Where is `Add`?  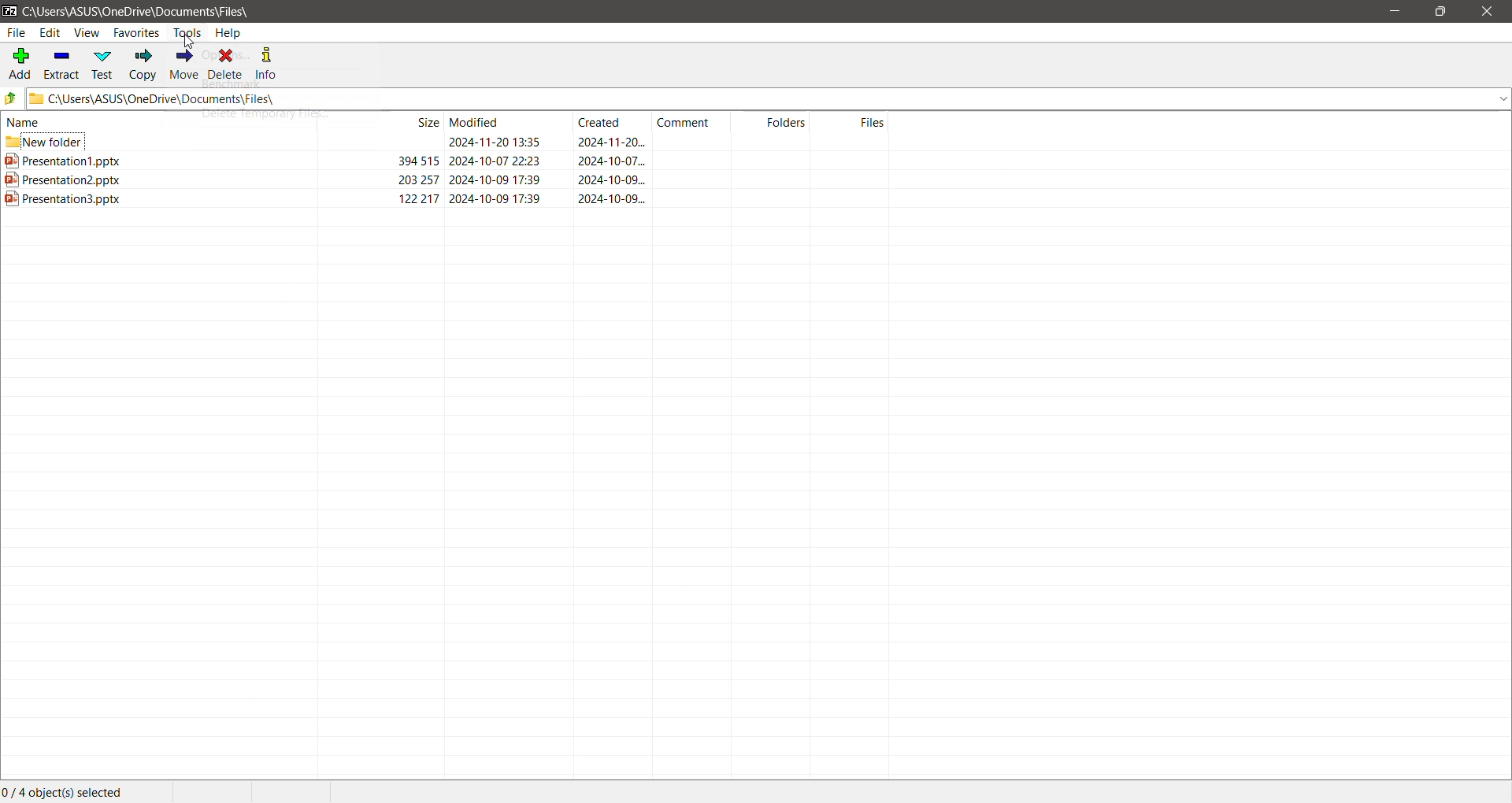 Add is located at coordinates (19, 65).